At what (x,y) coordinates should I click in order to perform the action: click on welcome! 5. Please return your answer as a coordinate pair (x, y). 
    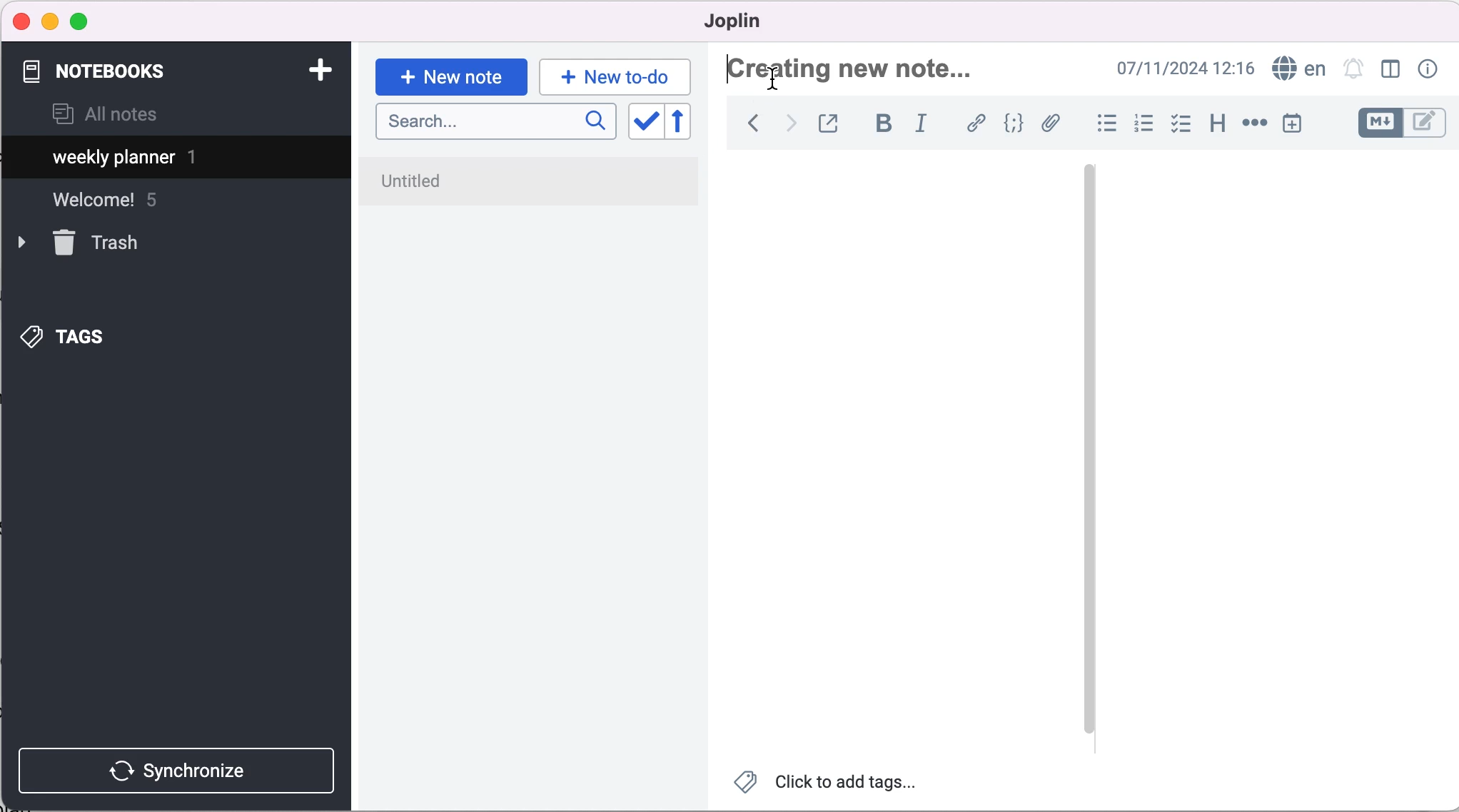
    Looking at the image, I should click on (119, 205).